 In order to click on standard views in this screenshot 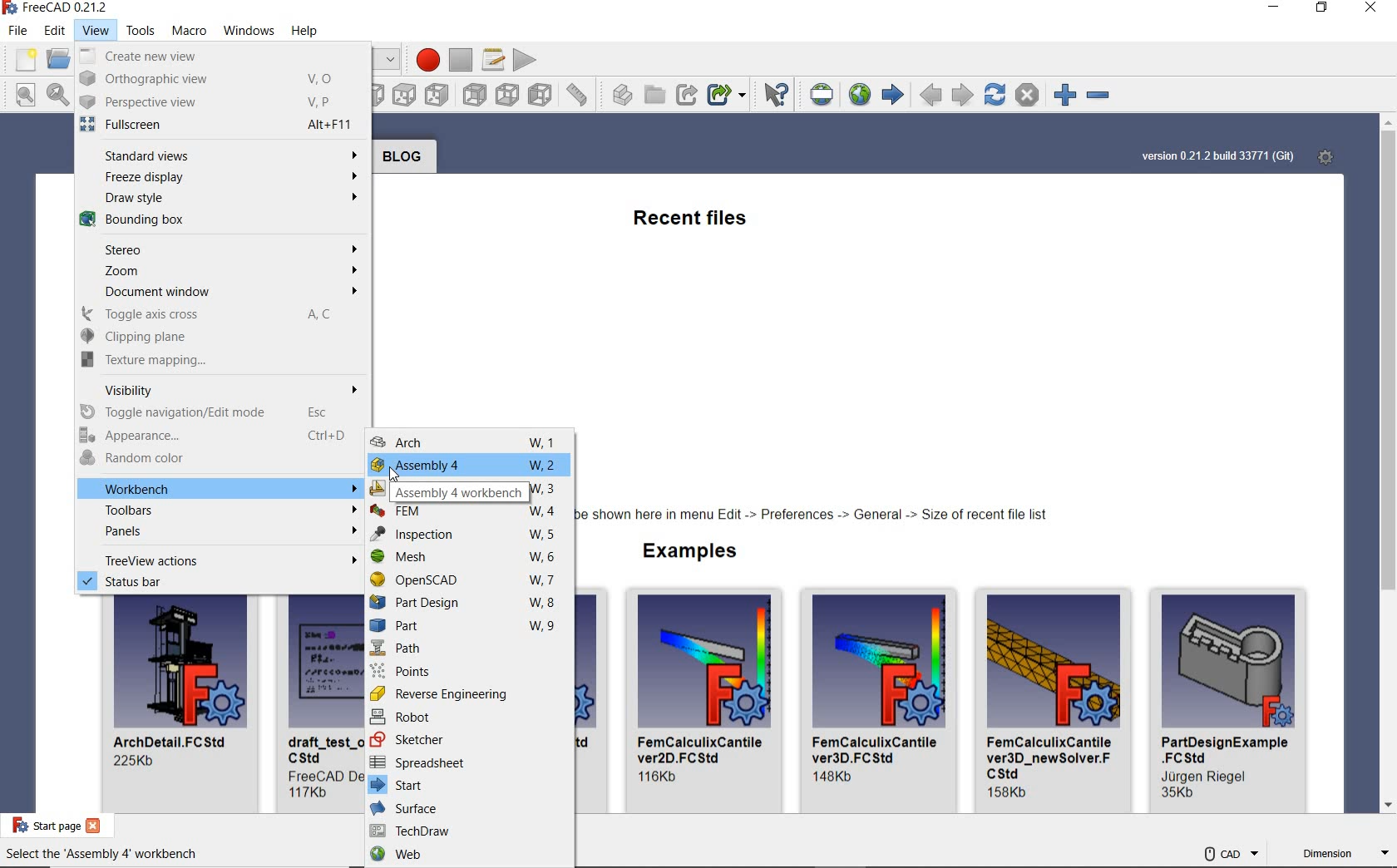, I will do `click(222, 152)`.